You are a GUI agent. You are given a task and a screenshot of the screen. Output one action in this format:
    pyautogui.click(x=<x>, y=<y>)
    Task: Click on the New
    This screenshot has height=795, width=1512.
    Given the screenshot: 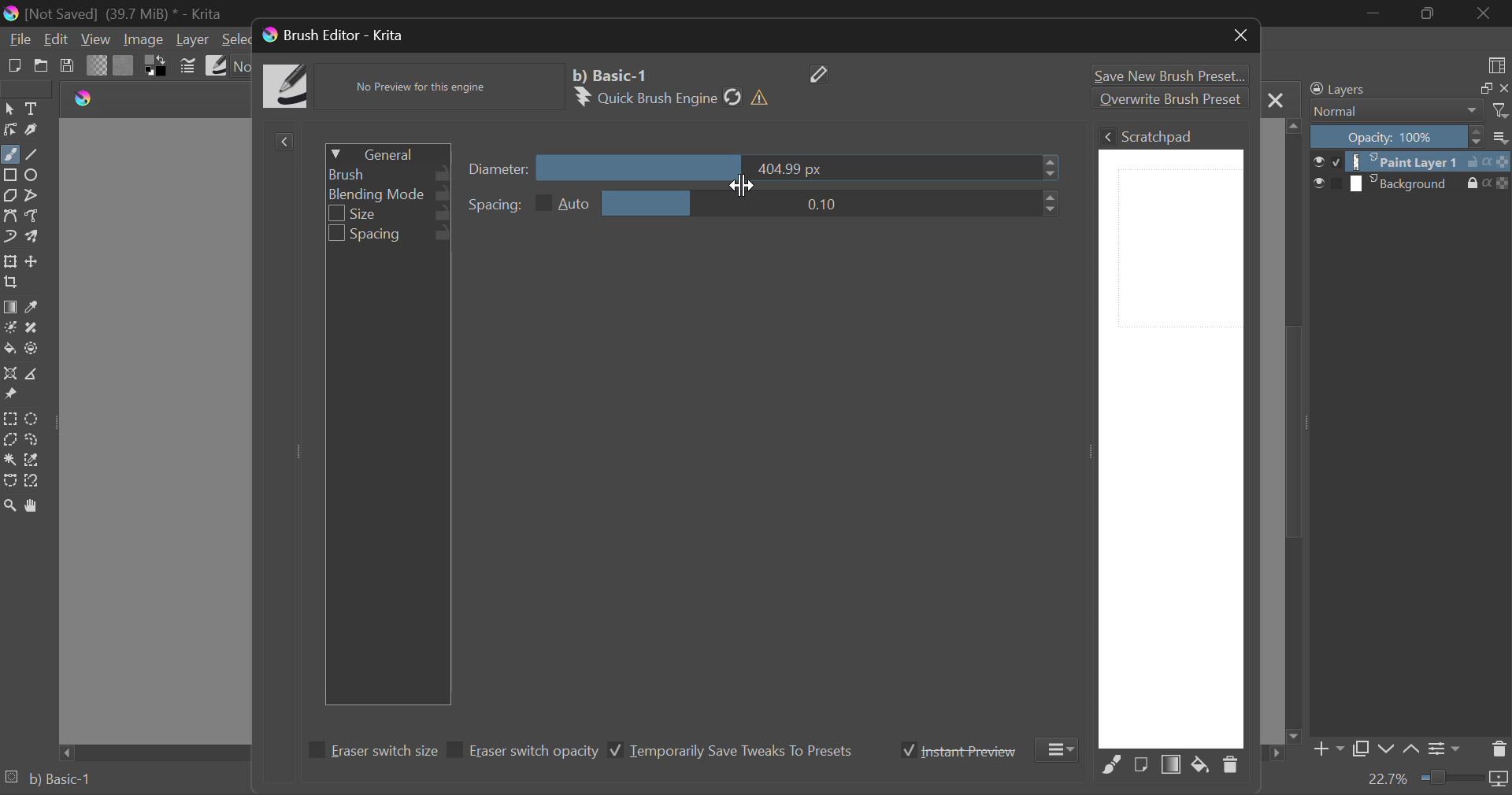 What is the action you would take?
    pyautogui.click(x=13, y=65)
    